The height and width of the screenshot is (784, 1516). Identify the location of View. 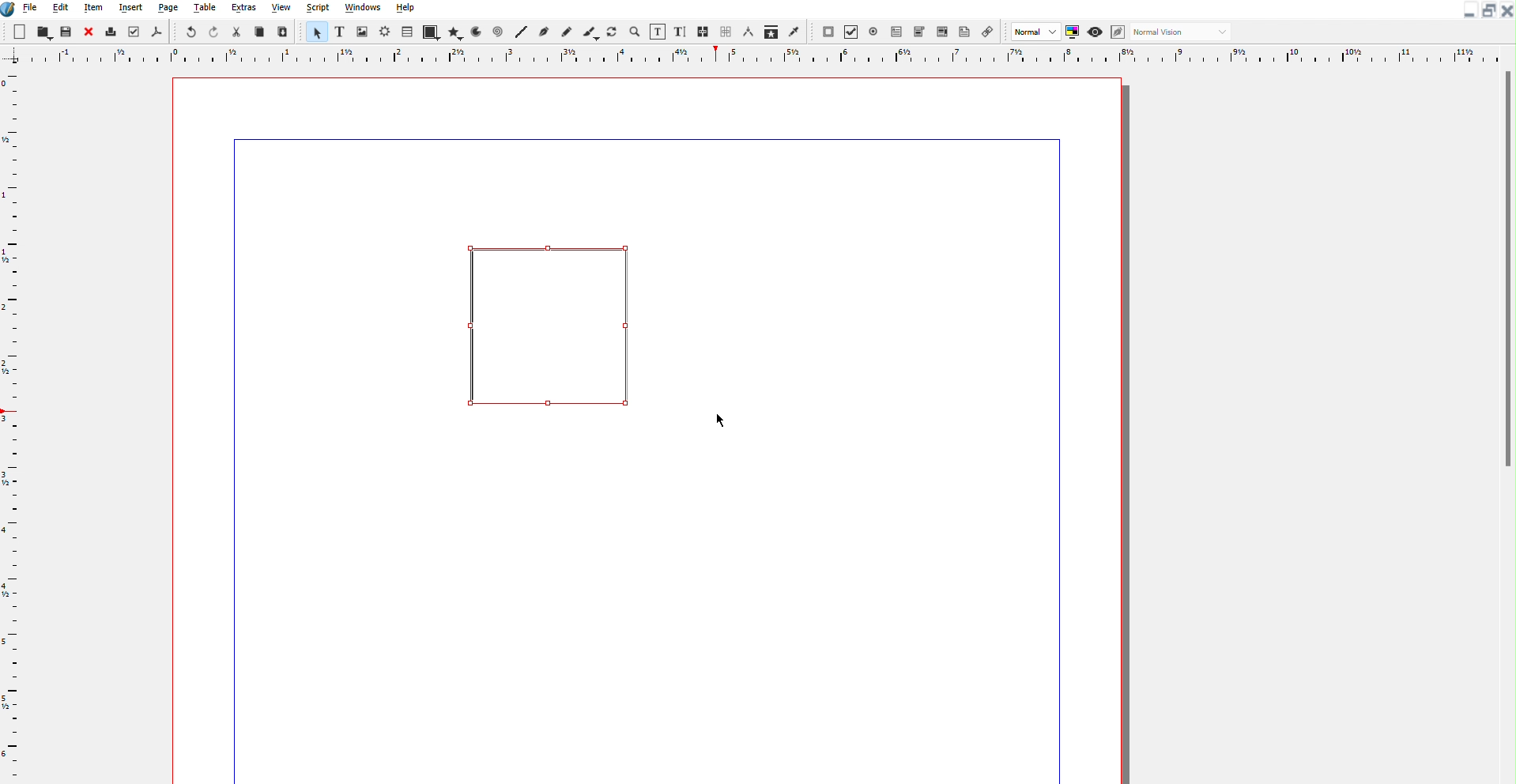
(280, 9).